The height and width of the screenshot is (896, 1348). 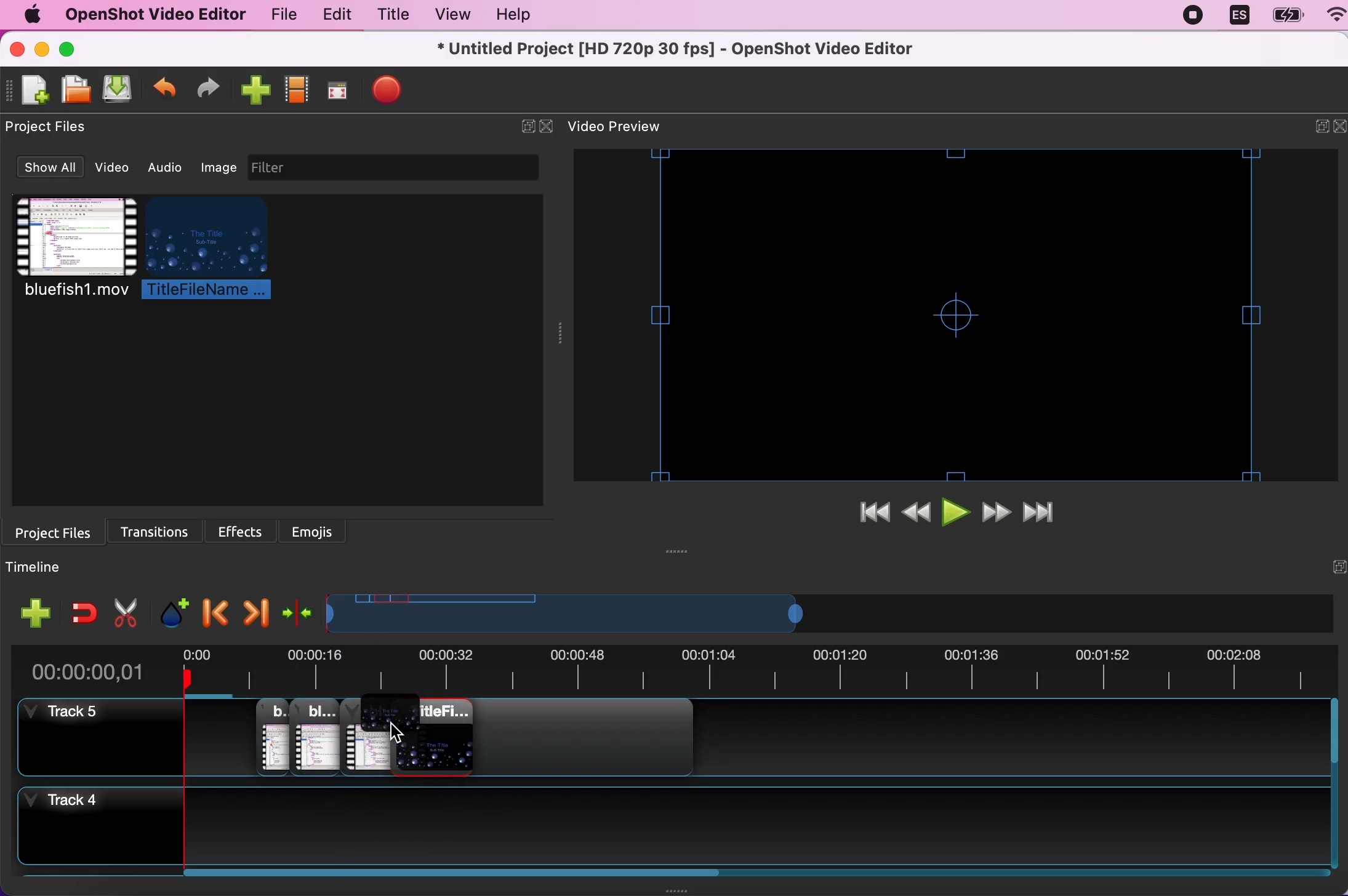 What do you see at coordinates (508, 17) in the screenshot?
I see `help` at bounding box center [508, 17].